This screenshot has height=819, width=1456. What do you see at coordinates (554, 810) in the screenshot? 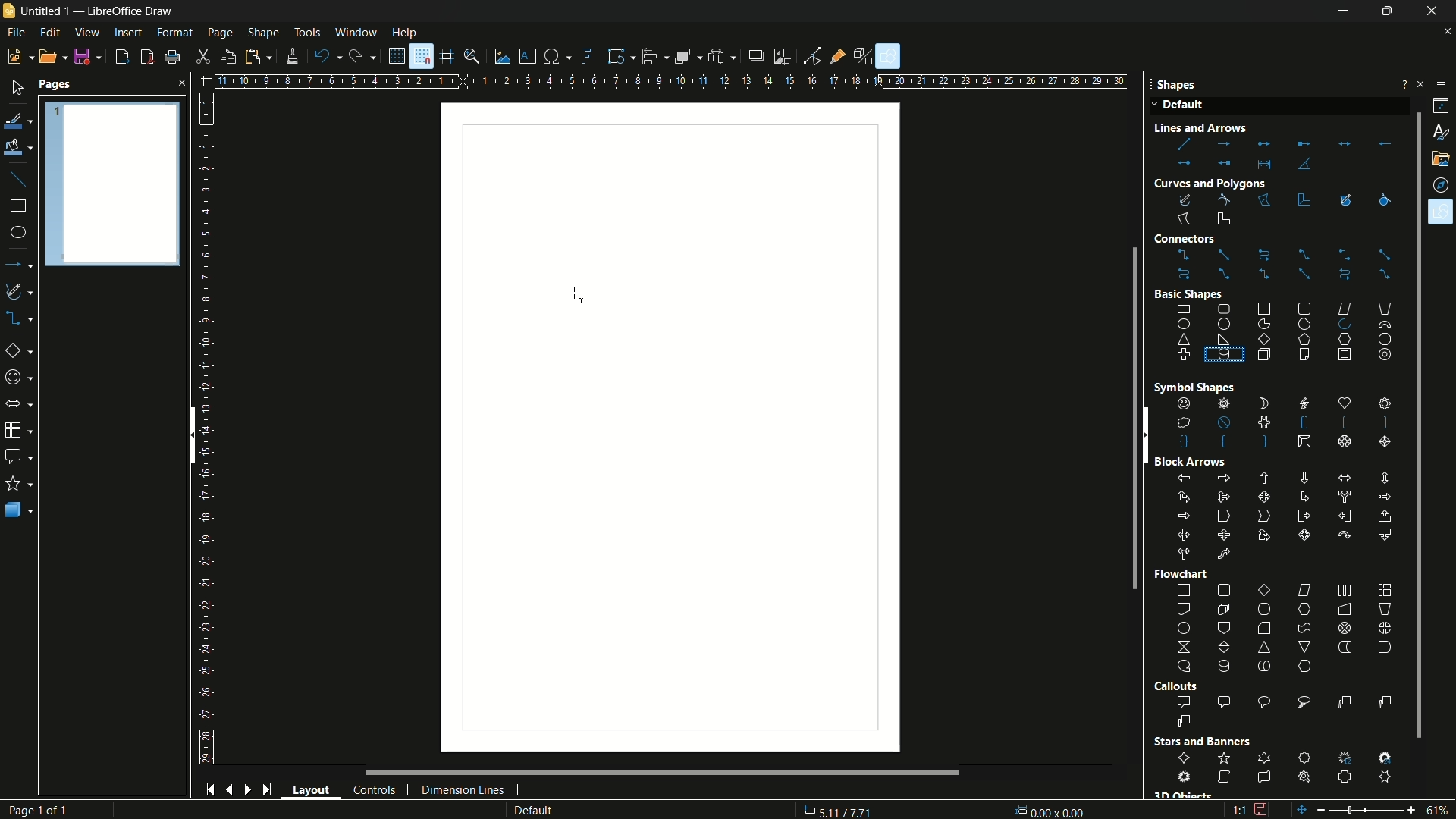
I see `default` at bounding box center [554, 810].